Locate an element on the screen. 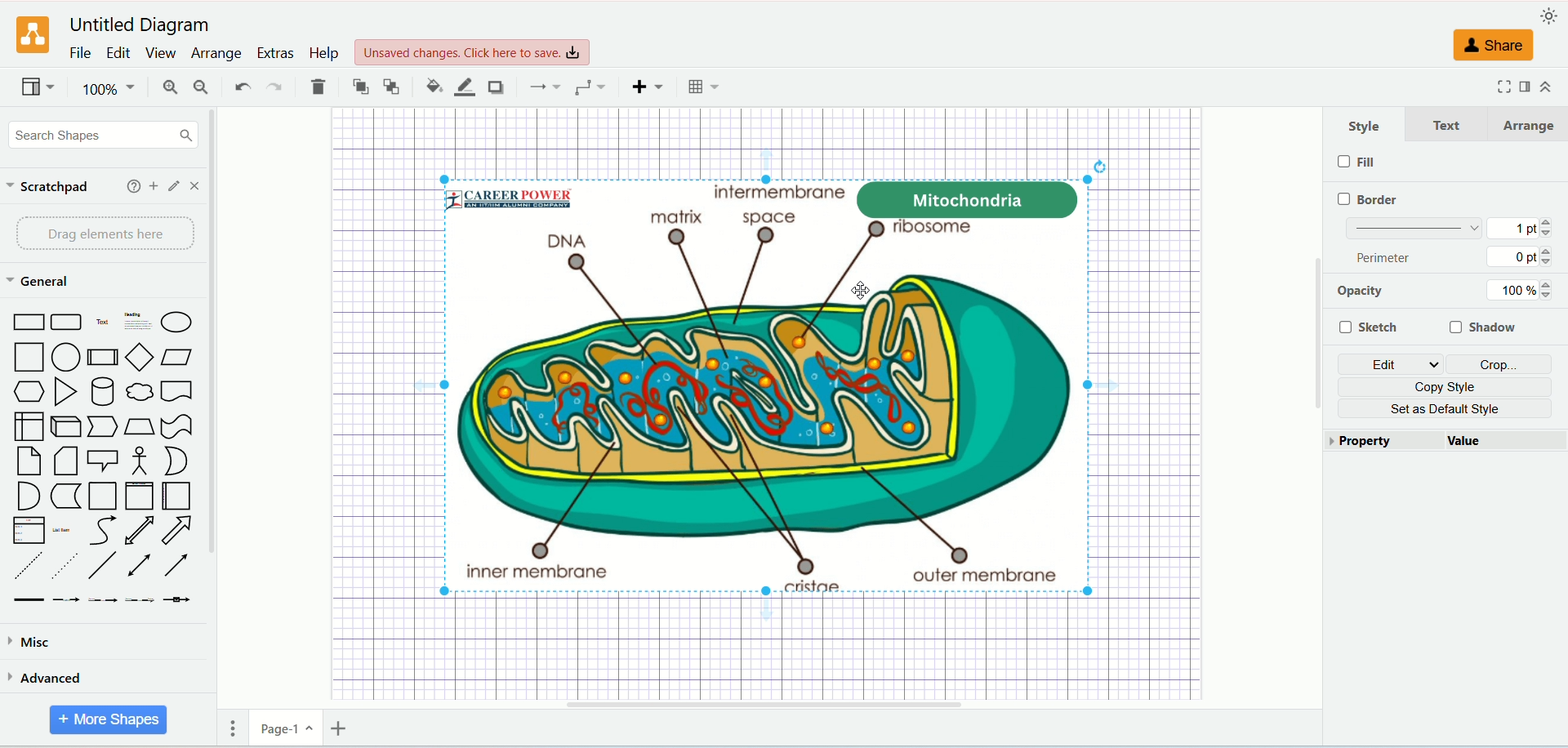 The height and width of the screenshot is (748, 1568). view is located at coordinates (33, 89).